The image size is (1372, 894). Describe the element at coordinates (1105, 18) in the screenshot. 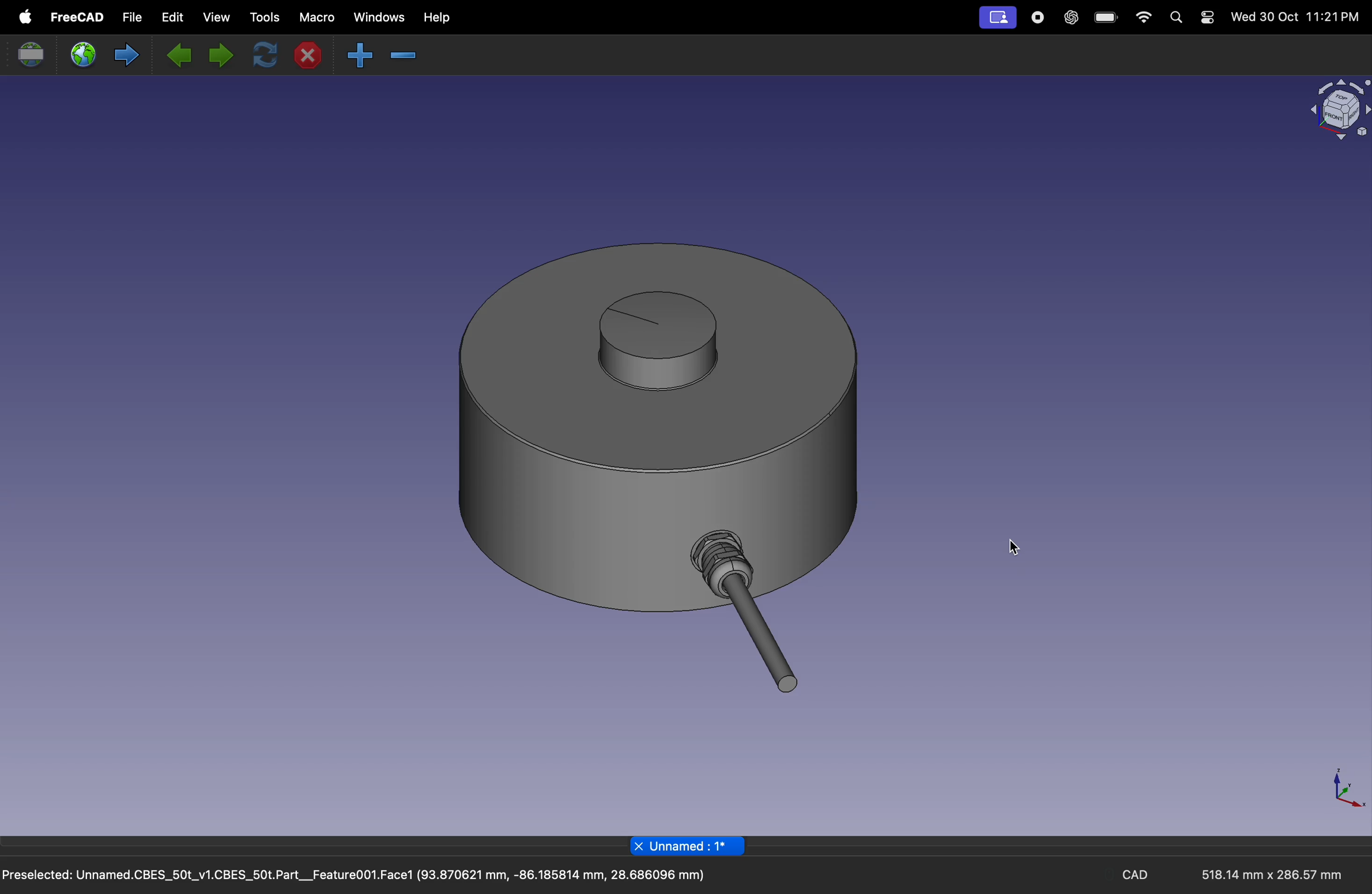

I see `battery` at that location.